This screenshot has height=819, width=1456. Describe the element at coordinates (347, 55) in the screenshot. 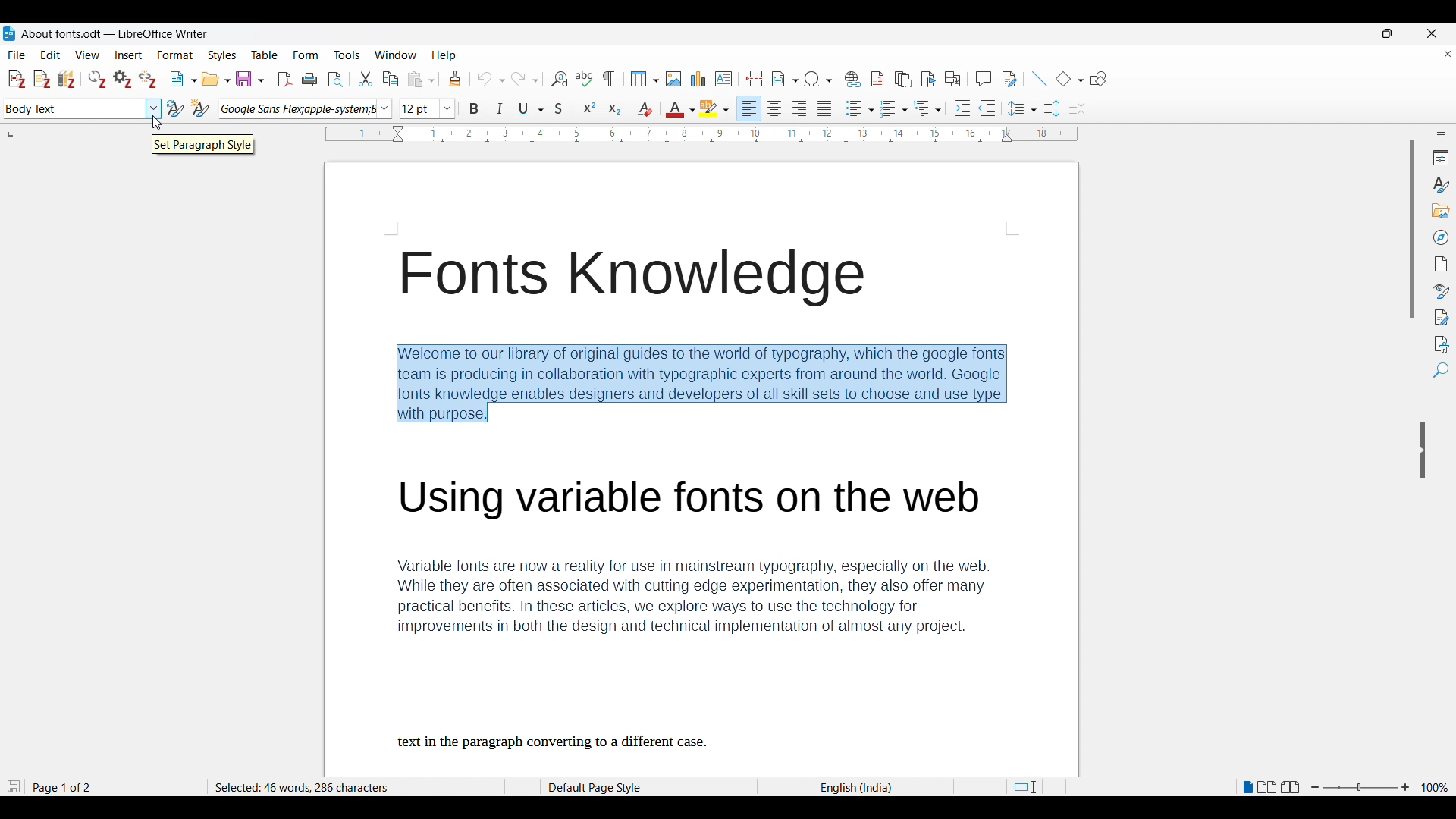

I see `Tools menu` at that location.